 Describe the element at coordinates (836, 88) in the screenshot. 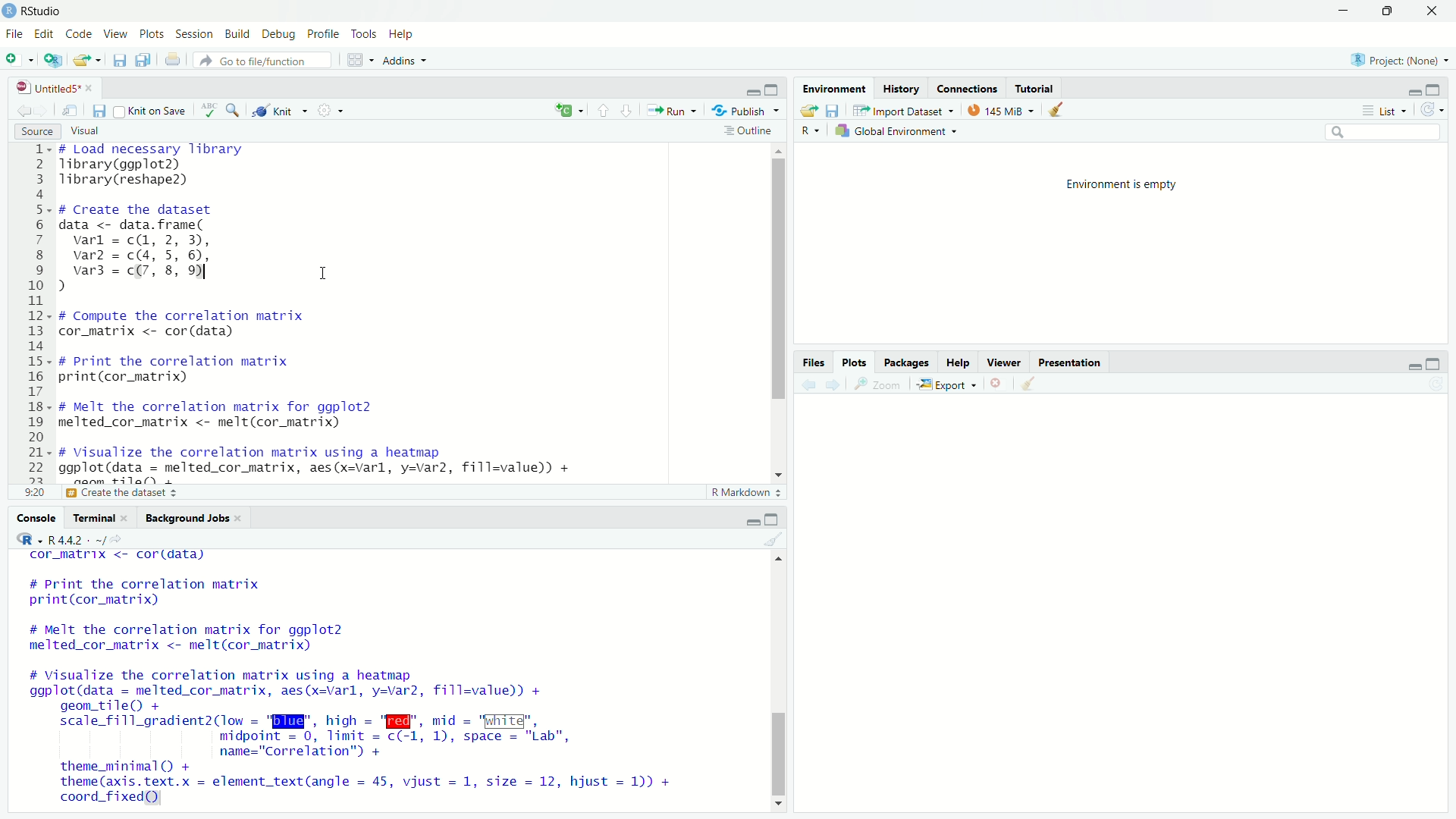

I see `environment` at that location.